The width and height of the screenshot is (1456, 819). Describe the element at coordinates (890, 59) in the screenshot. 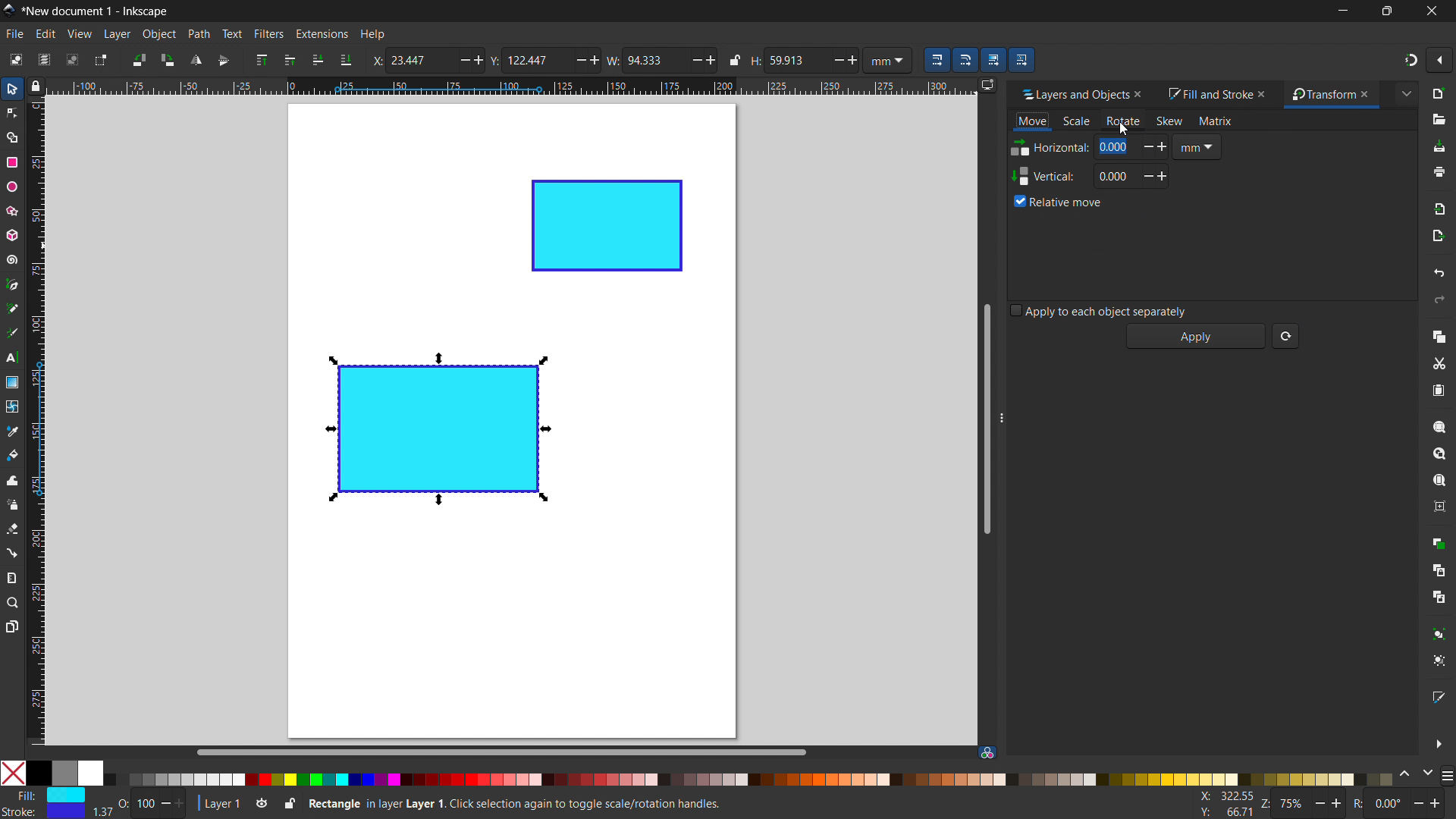

I see `mm` at that location.